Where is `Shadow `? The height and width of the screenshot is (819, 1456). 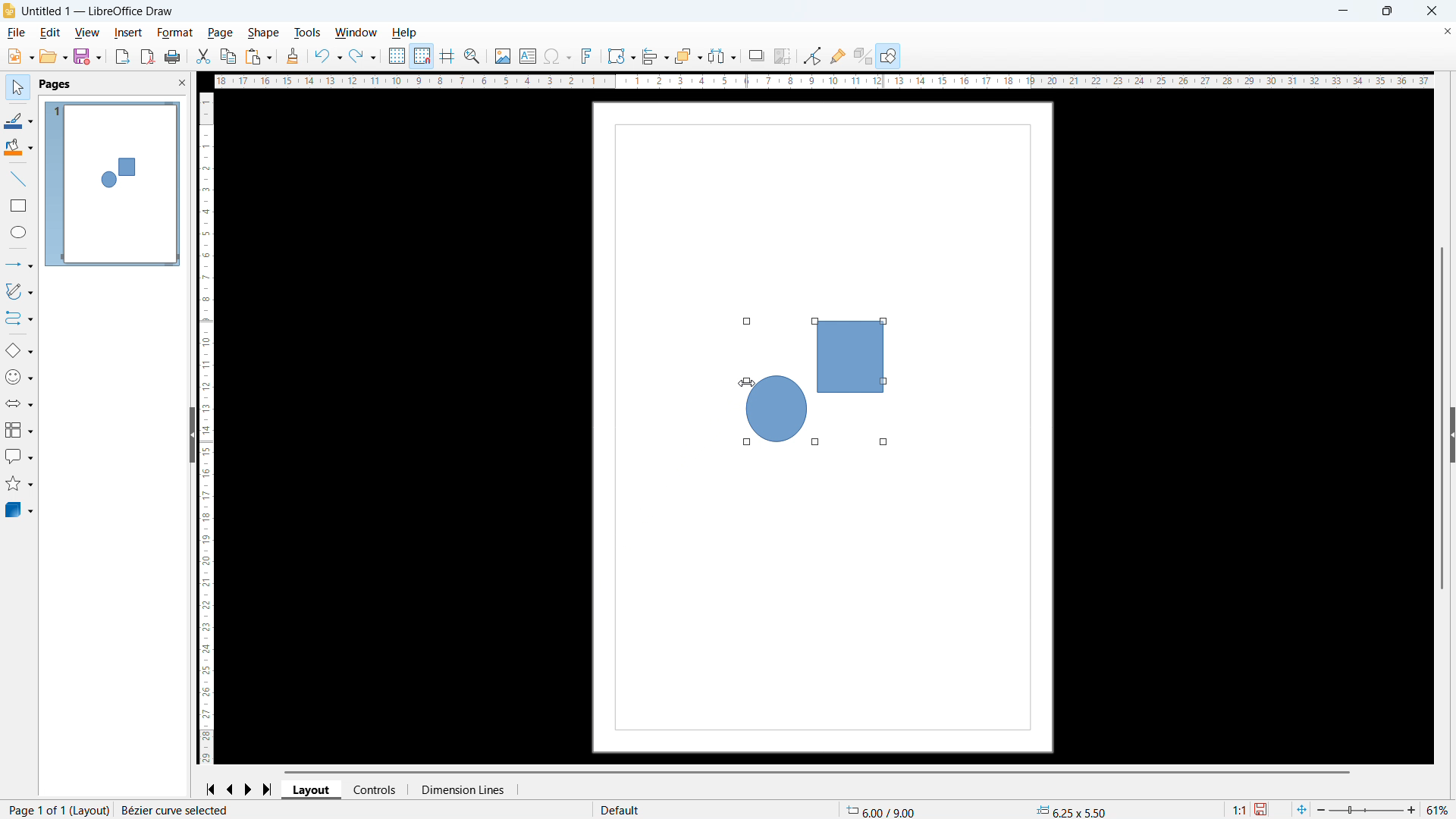
Shadow  is located at coordinates (756, 55).